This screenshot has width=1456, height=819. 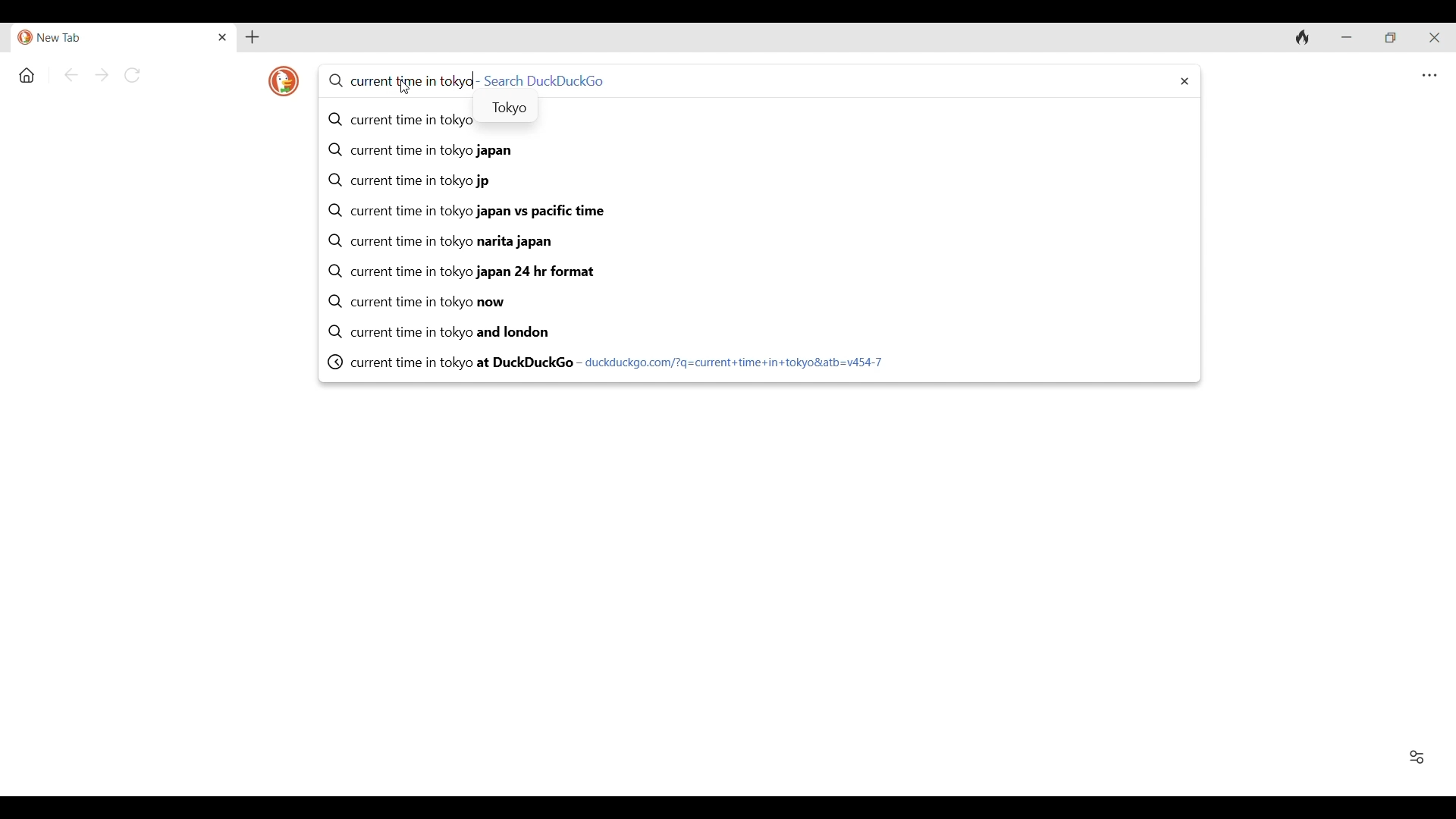 What do you see at coordinates (132, 75) in the screenshot?
I see `Reload page` at bounding box center [132, 75].